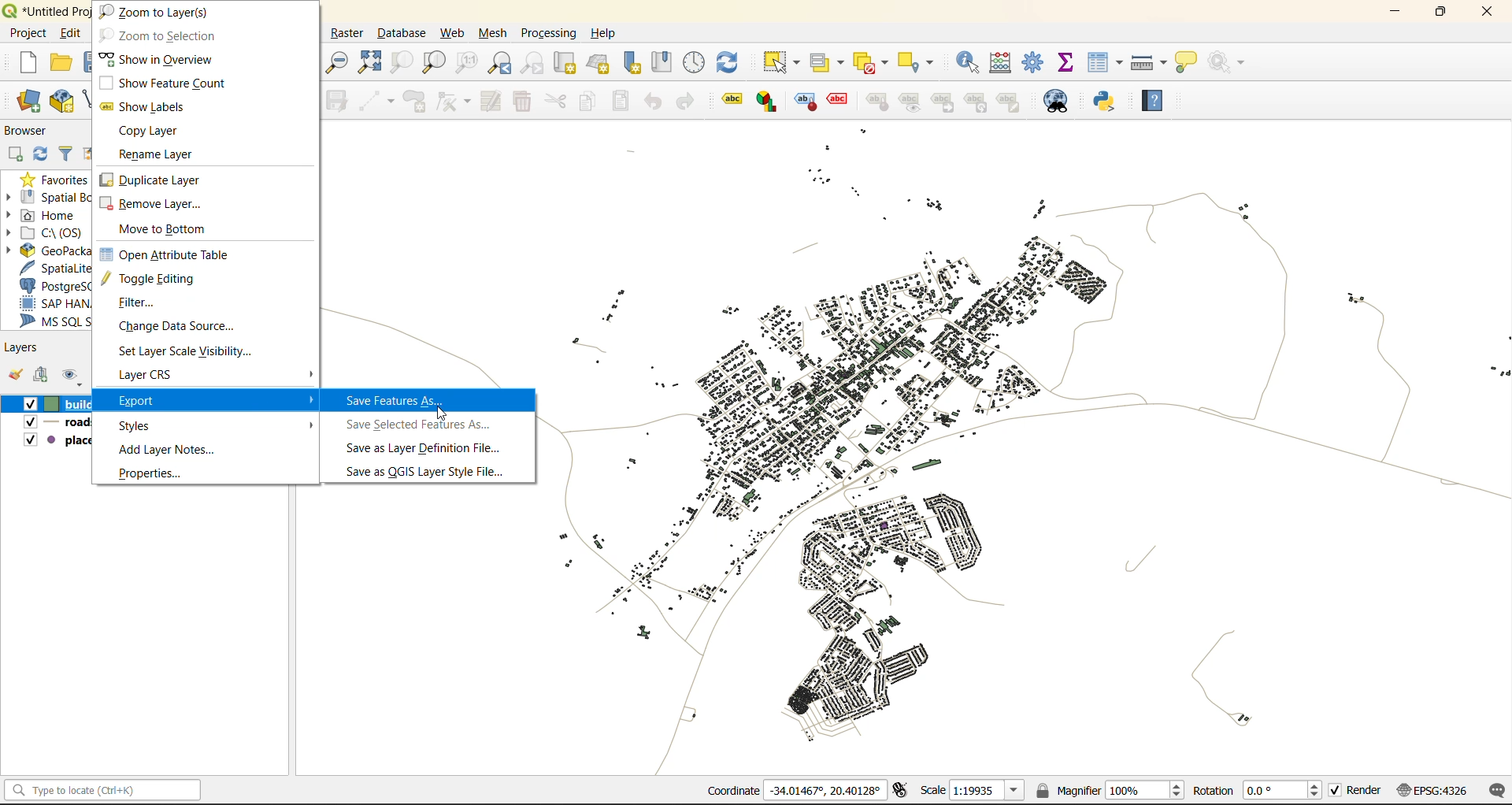  I want to click on zoom next, so click(537, 62).